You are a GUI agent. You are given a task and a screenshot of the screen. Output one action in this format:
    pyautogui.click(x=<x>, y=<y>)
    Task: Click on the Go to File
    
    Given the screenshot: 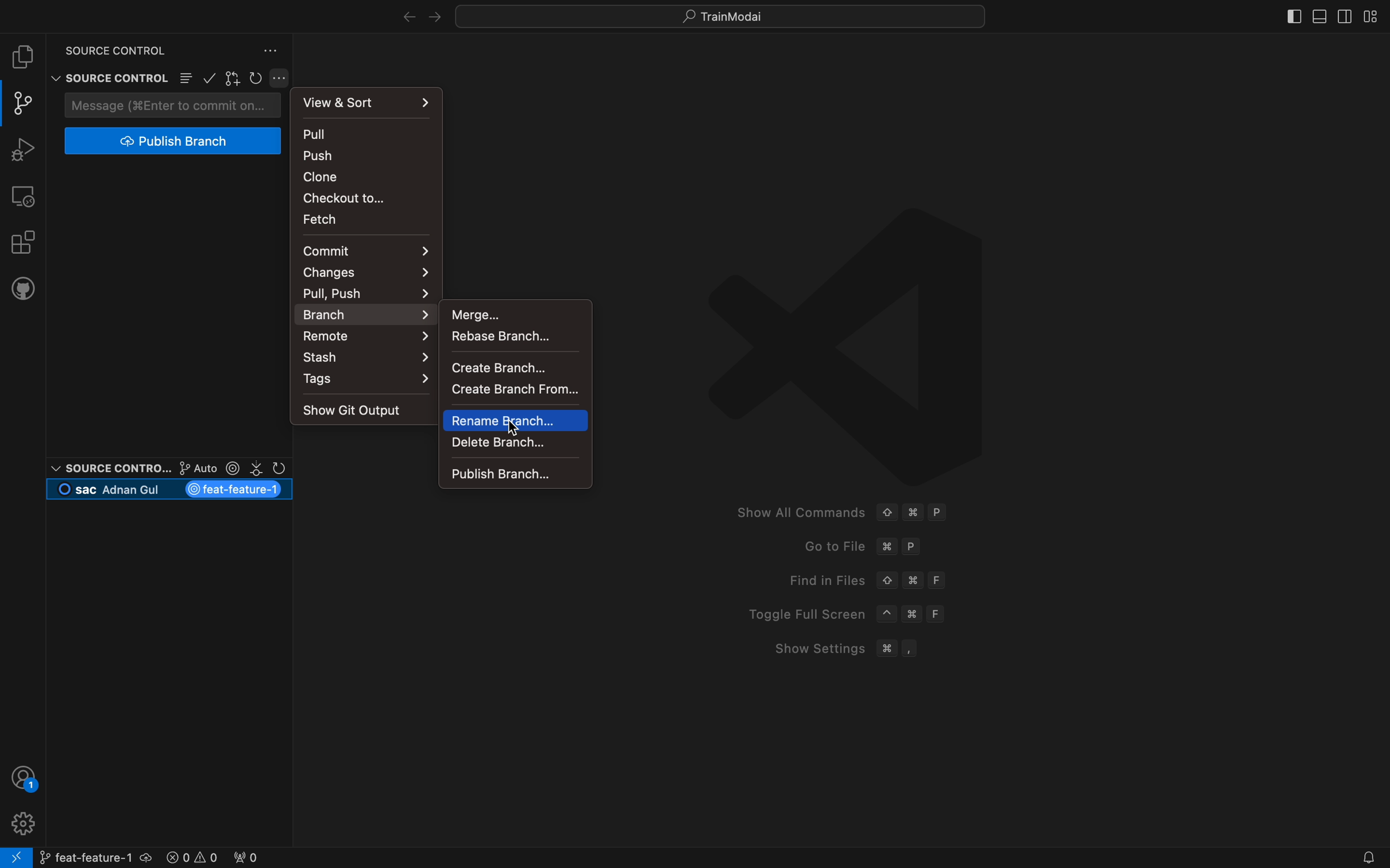 What is the action you would take?
    pyautogui.click(x=823, y=547)
    